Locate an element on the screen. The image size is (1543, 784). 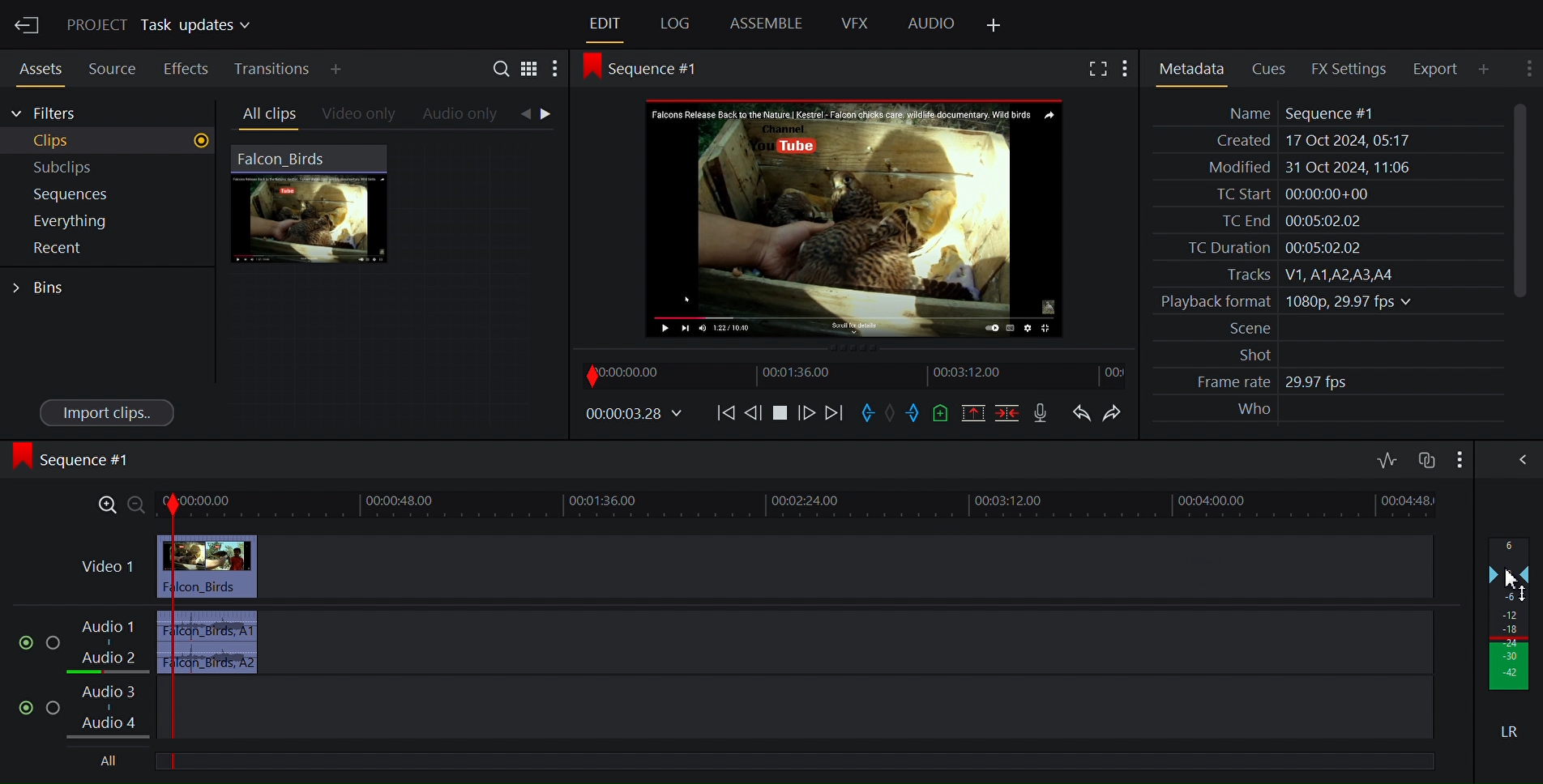
Move backwards is located at coordinates (835, 413).